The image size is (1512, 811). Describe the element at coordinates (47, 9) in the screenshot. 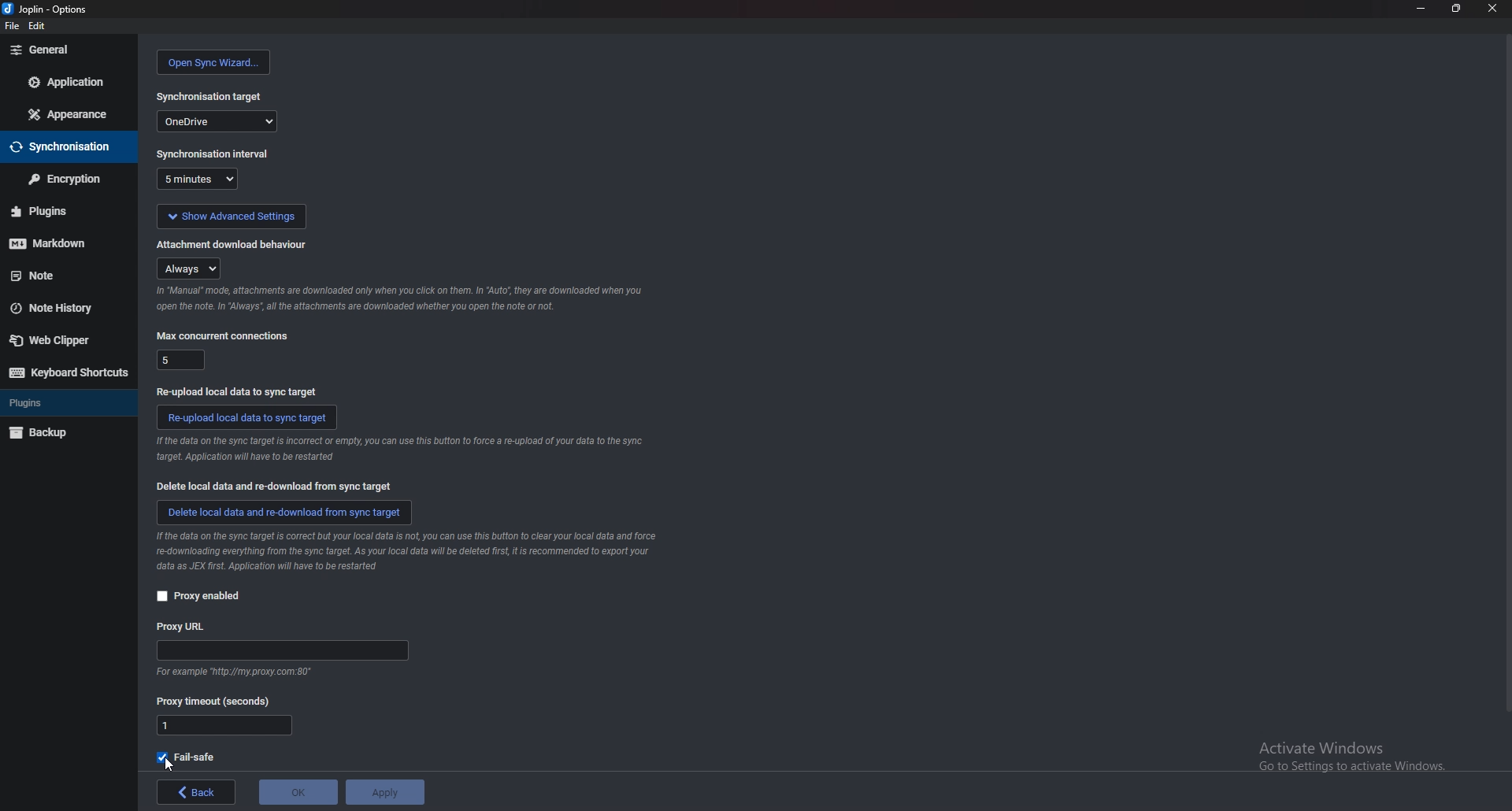

I see `options` at that location.